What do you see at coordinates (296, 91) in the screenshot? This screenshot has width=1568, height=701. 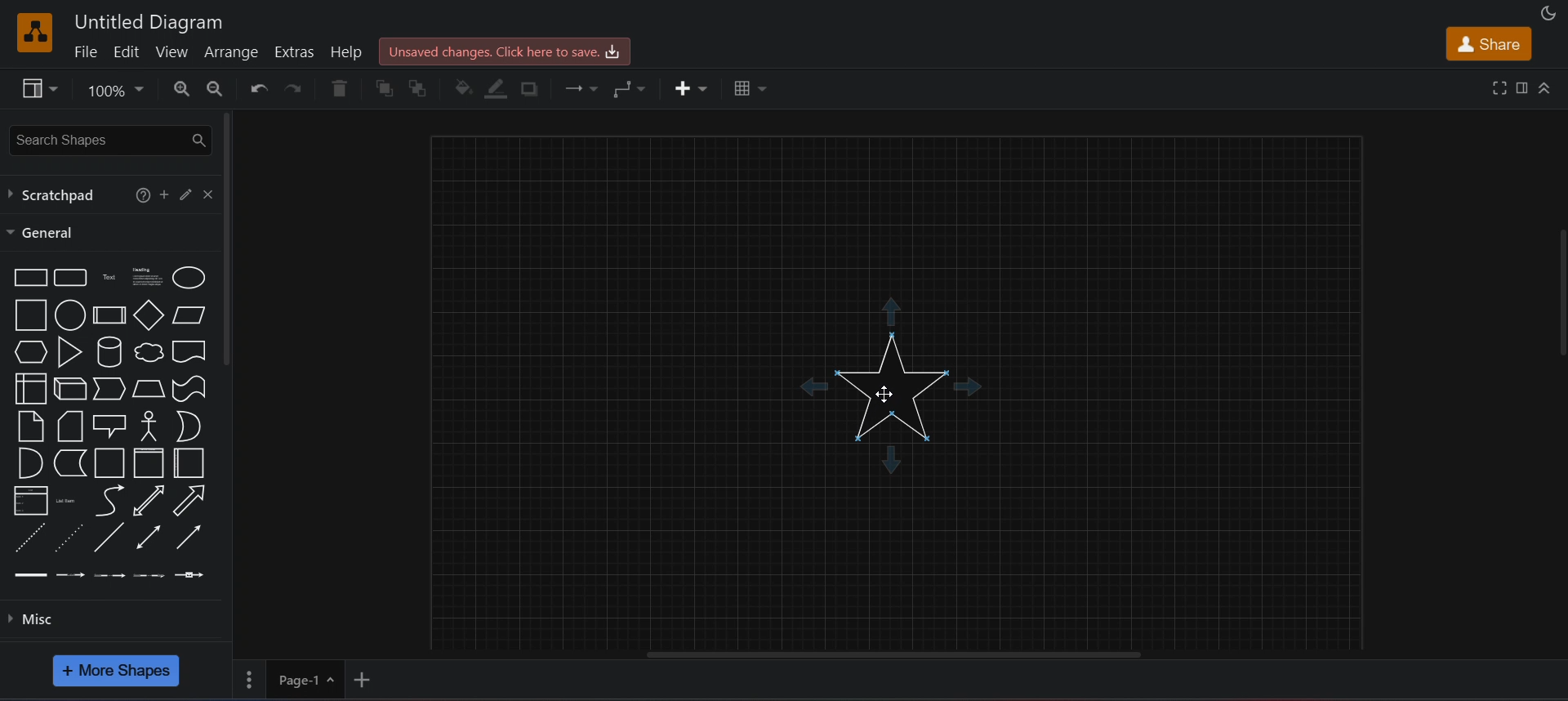 I see `redo` at bounding box center [296, 91].